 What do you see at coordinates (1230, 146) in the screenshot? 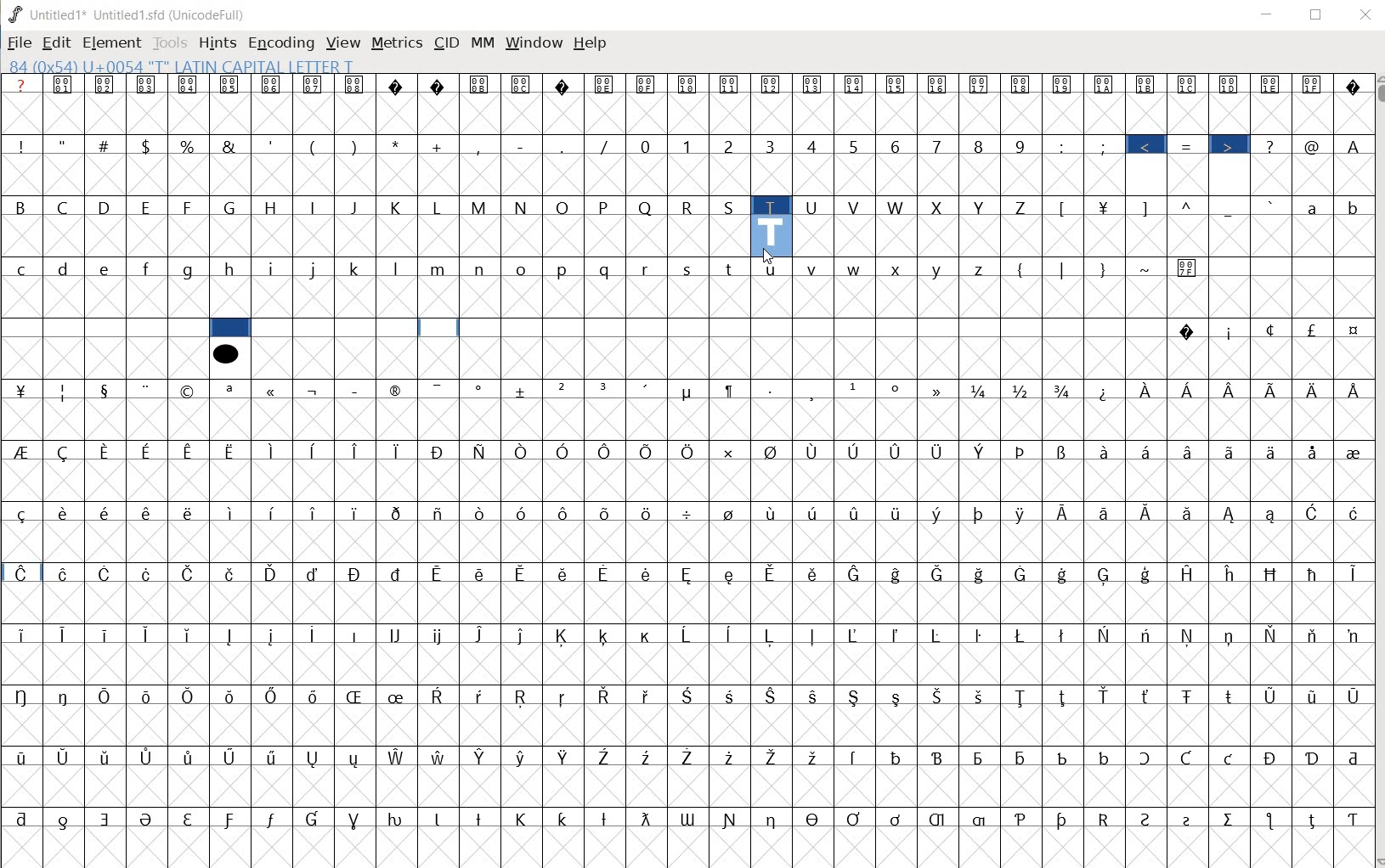
I see `>` at bounding box center [1230, 146].